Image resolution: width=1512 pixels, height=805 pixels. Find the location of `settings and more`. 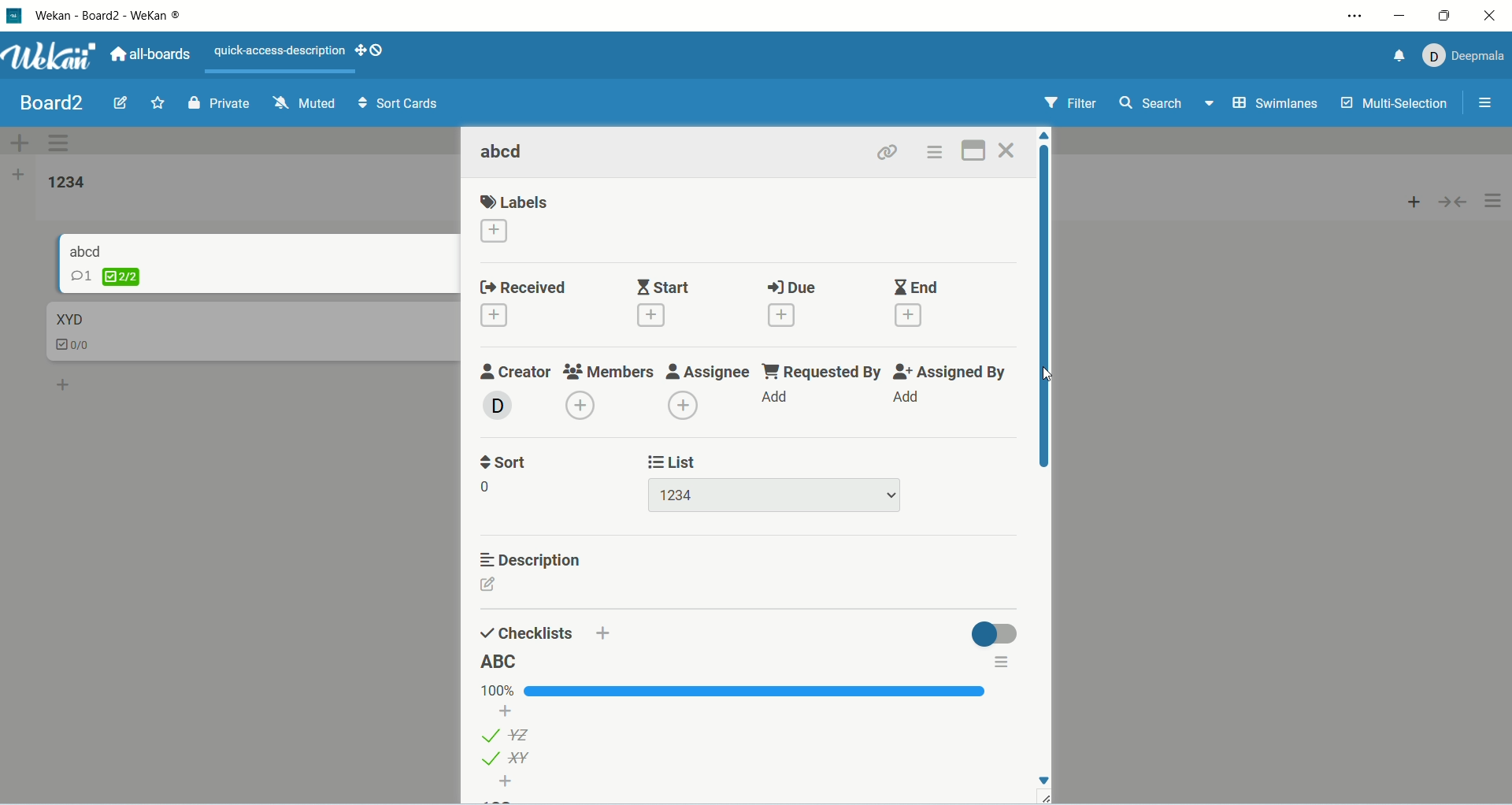

settings and more is located at coordinates (1354, 17).